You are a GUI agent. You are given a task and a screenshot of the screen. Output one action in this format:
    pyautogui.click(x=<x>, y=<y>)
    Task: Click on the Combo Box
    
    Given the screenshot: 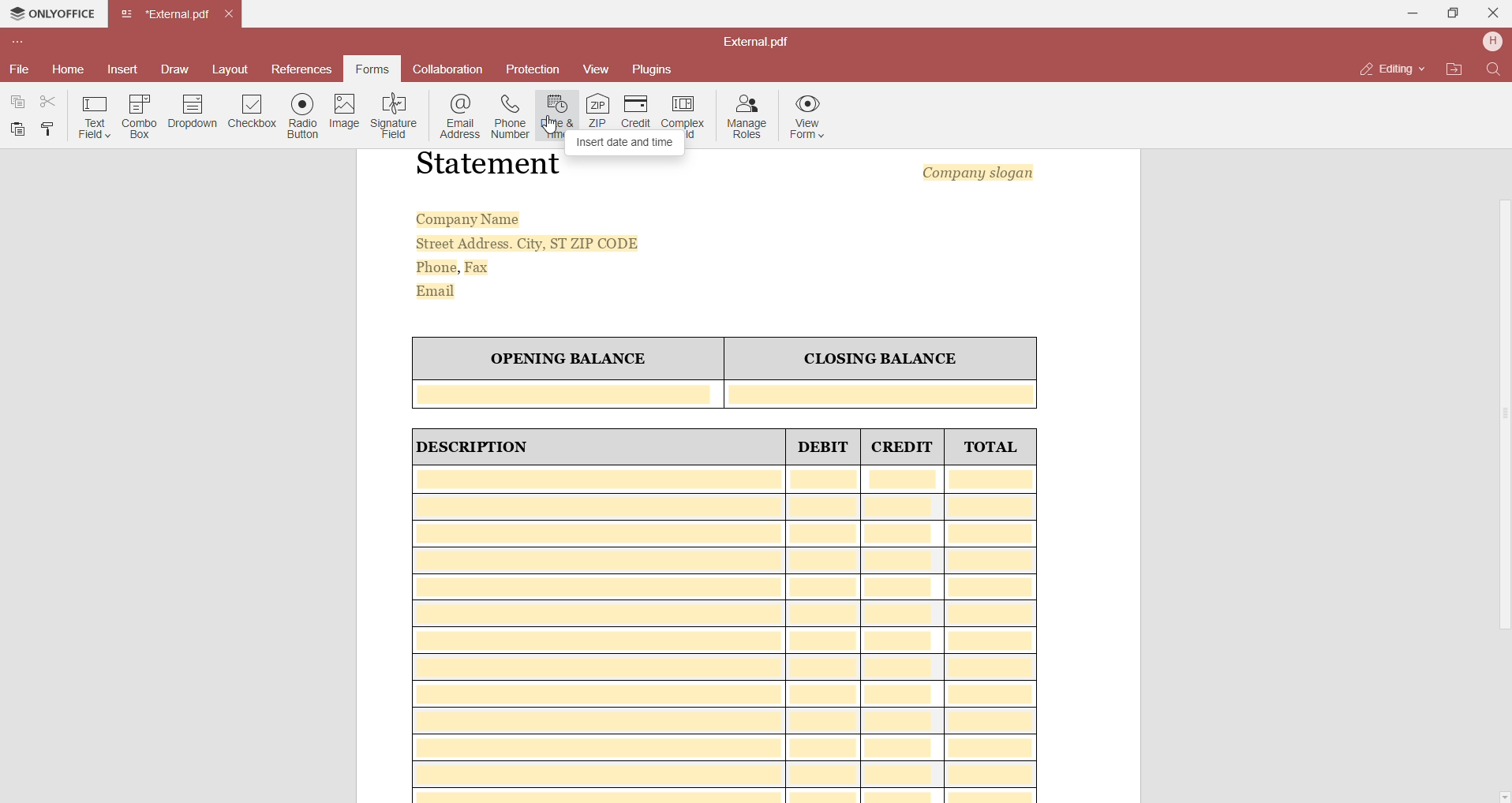 What is the action you would take?
    pyautogui.click(x=138, y=117)
    